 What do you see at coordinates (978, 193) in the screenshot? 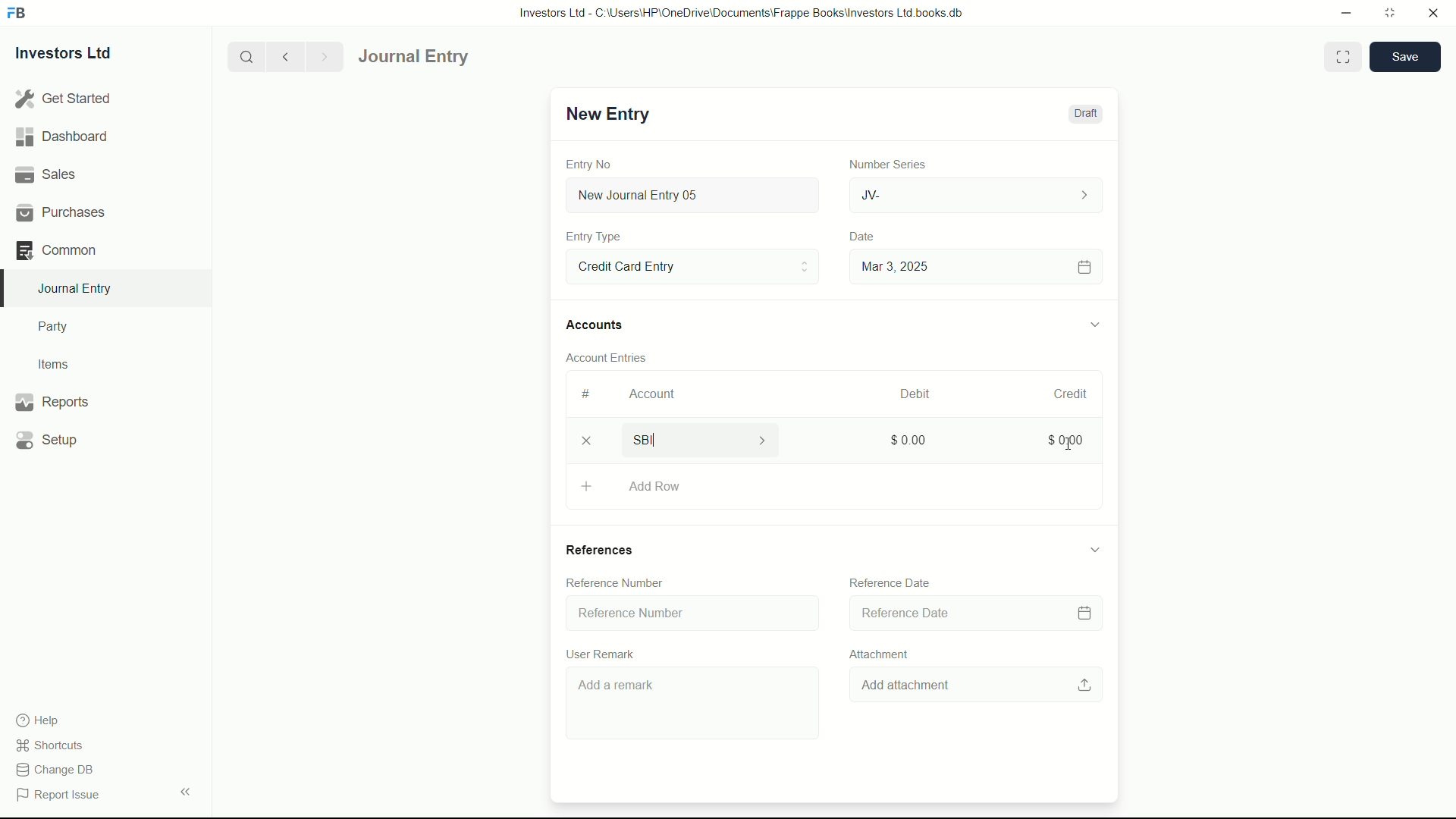
I see `JV` at bounding box center [978, 193].